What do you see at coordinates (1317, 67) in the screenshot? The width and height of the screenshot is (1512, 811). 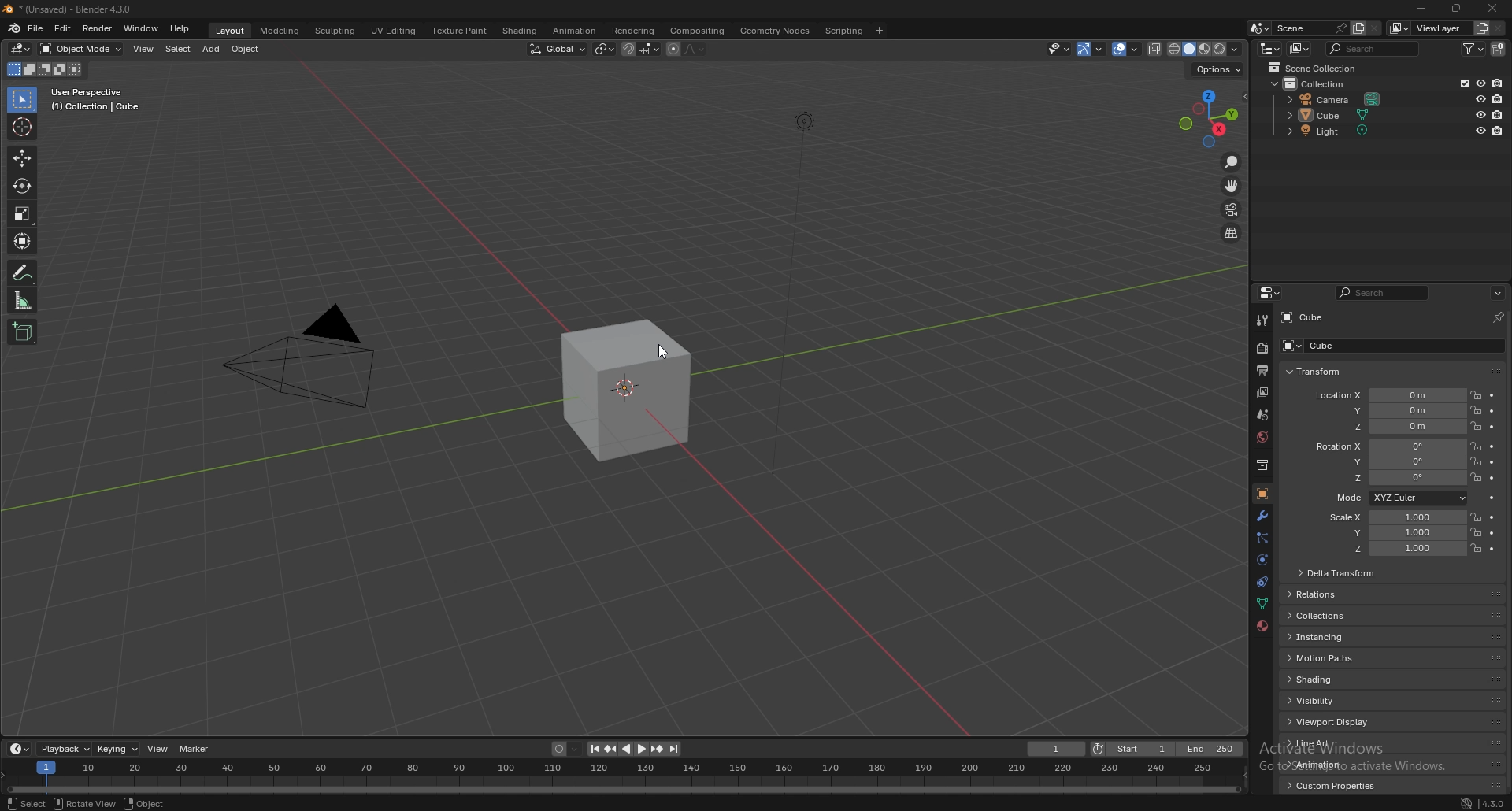 I see `scene collection` at bounding box center [1317, 67].